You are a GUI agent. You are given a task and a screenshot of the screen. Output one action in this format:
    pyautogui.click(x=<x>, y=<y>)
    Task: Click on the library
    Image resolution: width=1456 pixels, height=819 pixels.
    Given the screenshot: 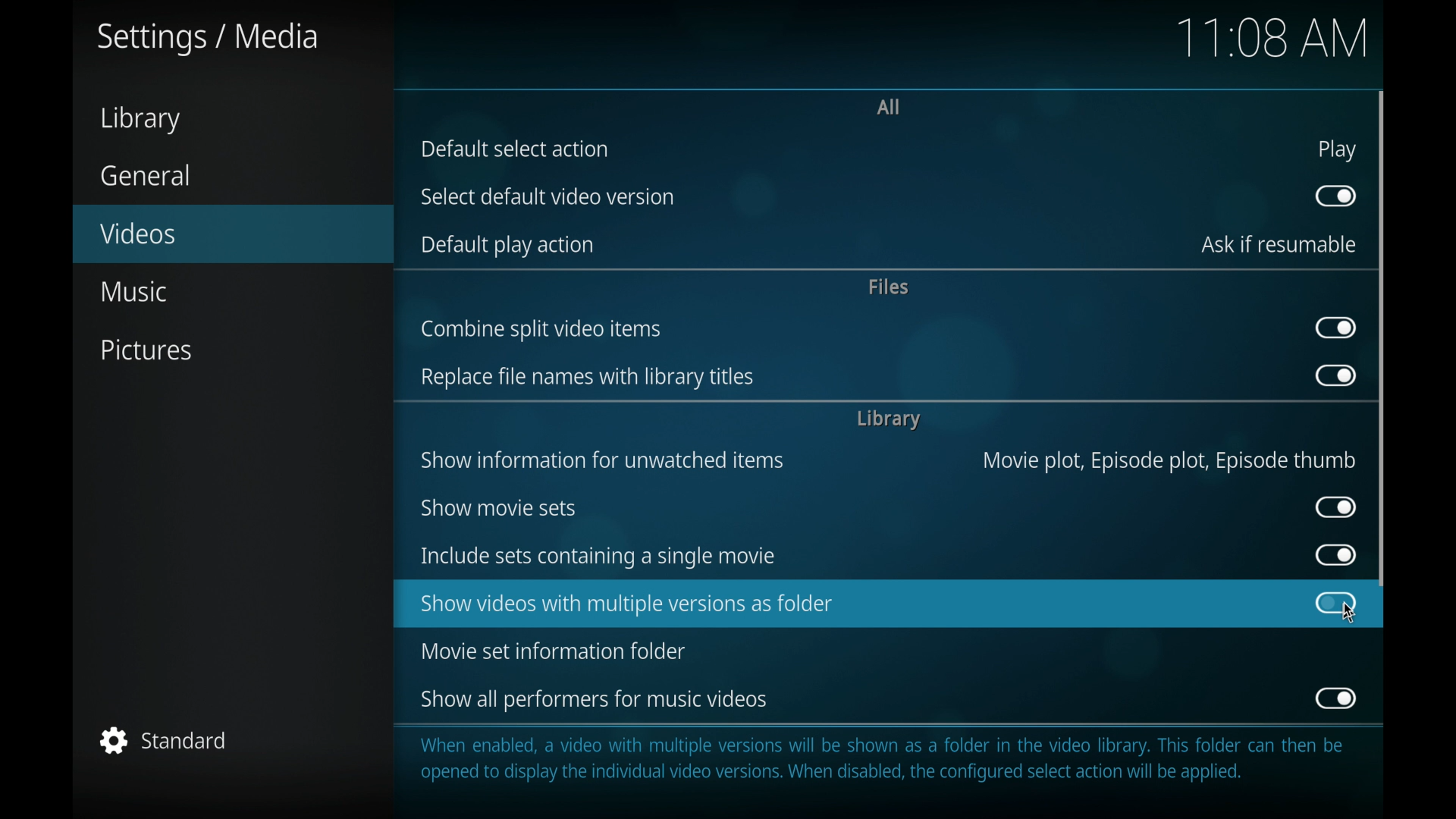 What is the action you would take?
    pyautogui.click(x=888, y=419)
    